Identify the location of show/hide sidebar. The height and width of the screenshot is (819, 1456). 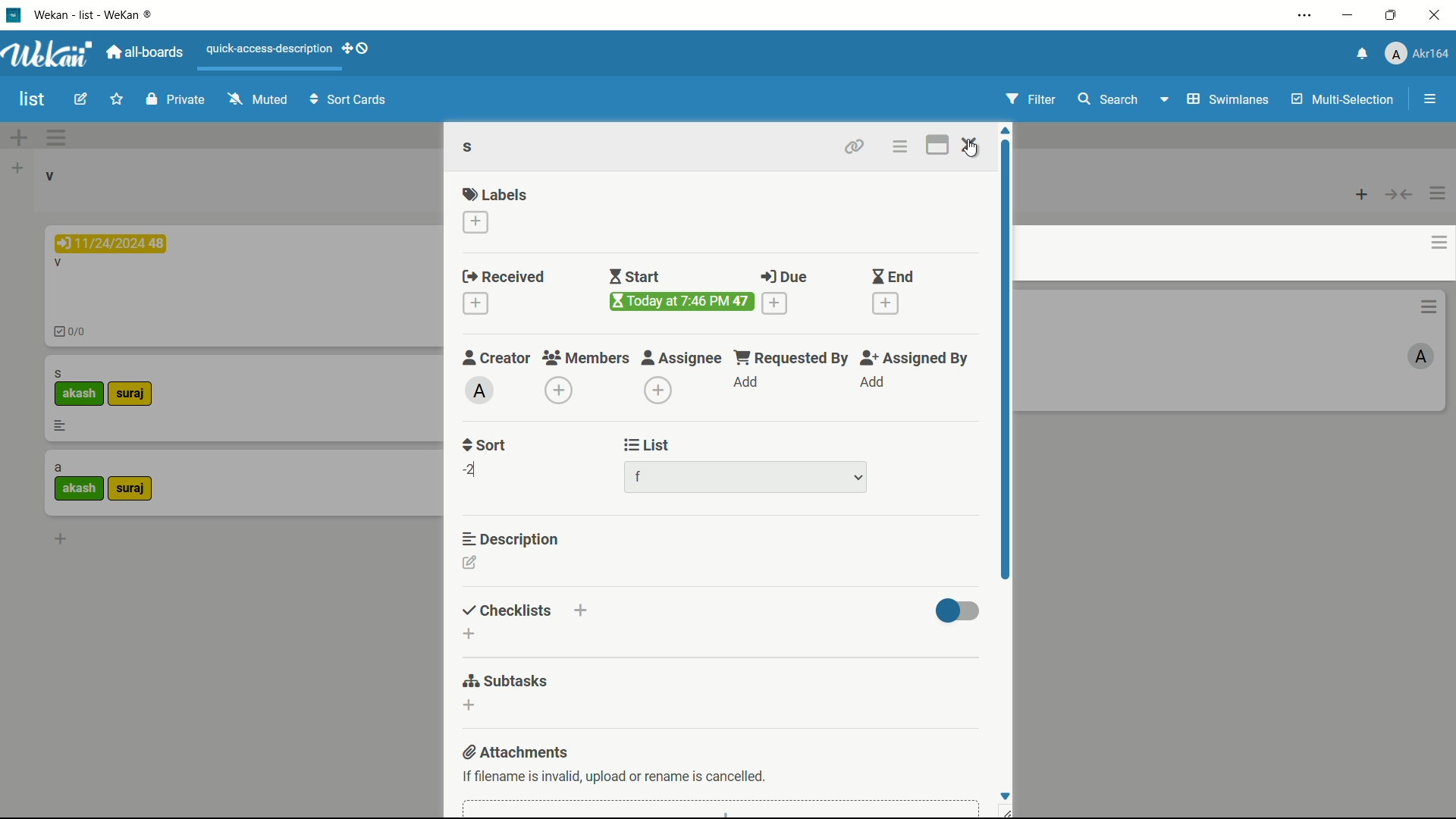
(1431, 99).